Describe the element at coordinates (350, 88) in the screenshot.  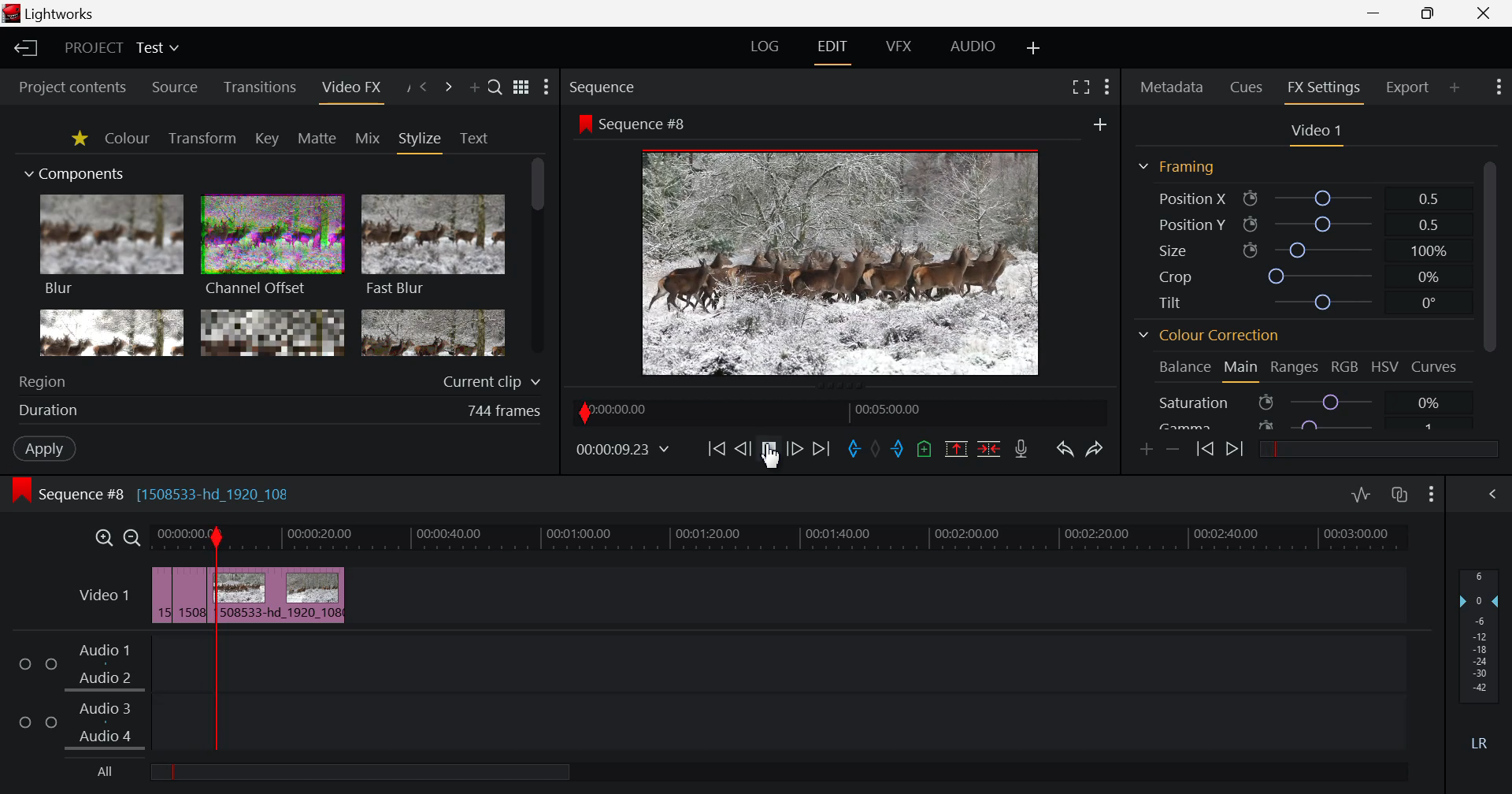
I see `Video FX` at that location.